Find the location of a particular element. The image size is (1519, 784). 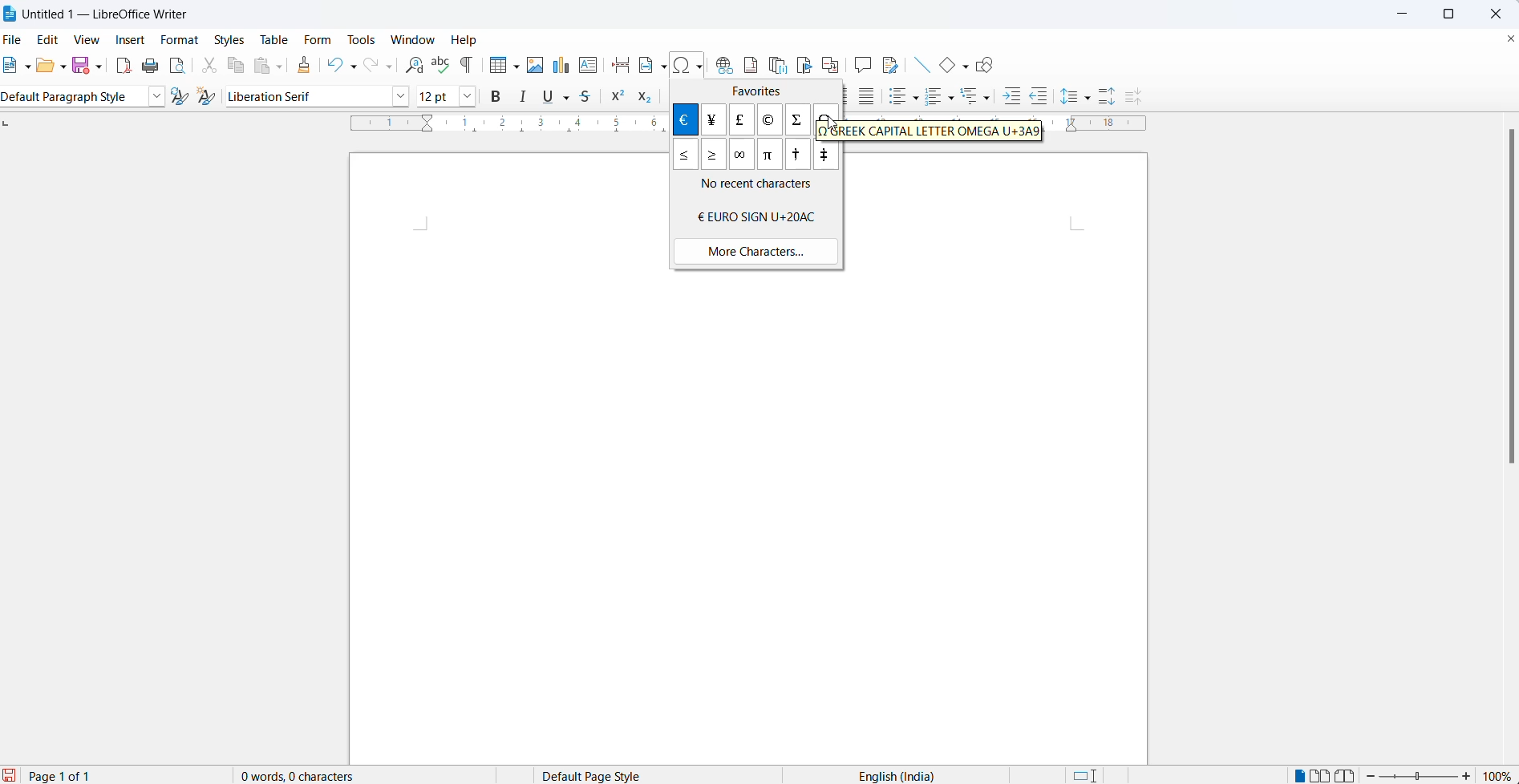

form is located at coordinates (318, 40).